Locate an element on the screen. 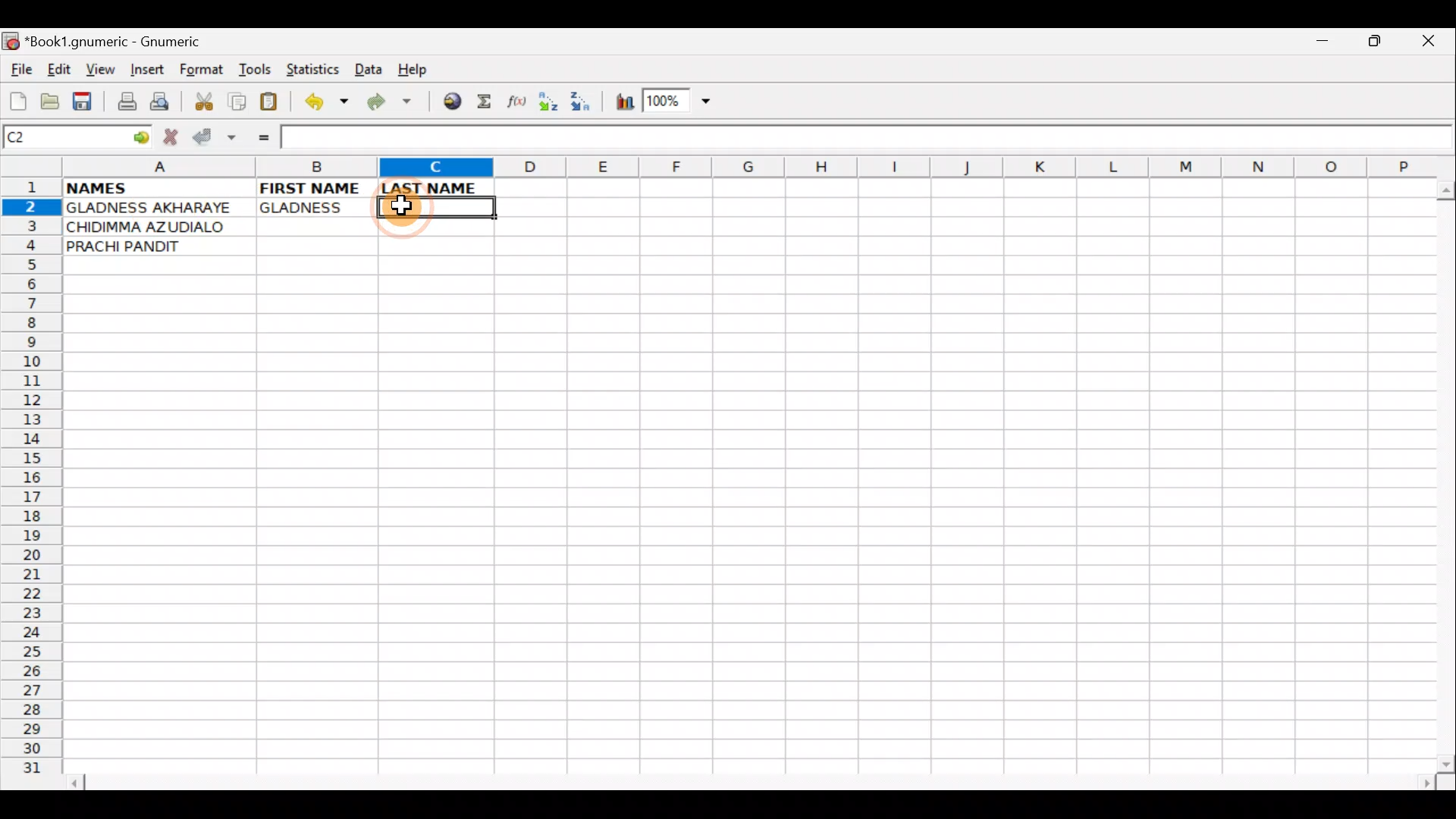  NAMES is located at coordinates (146, 187).